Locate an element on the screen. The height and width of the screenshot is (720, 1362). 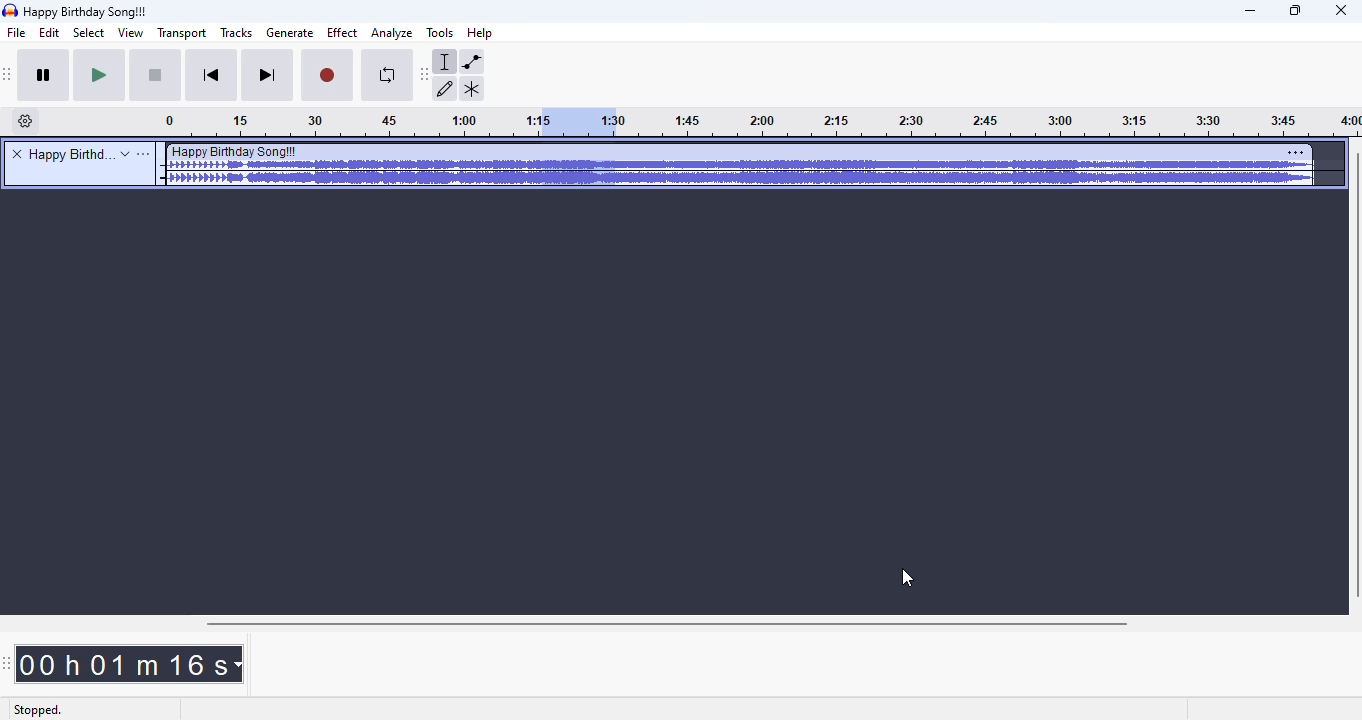
open menu is located at coordinates (144, 154).